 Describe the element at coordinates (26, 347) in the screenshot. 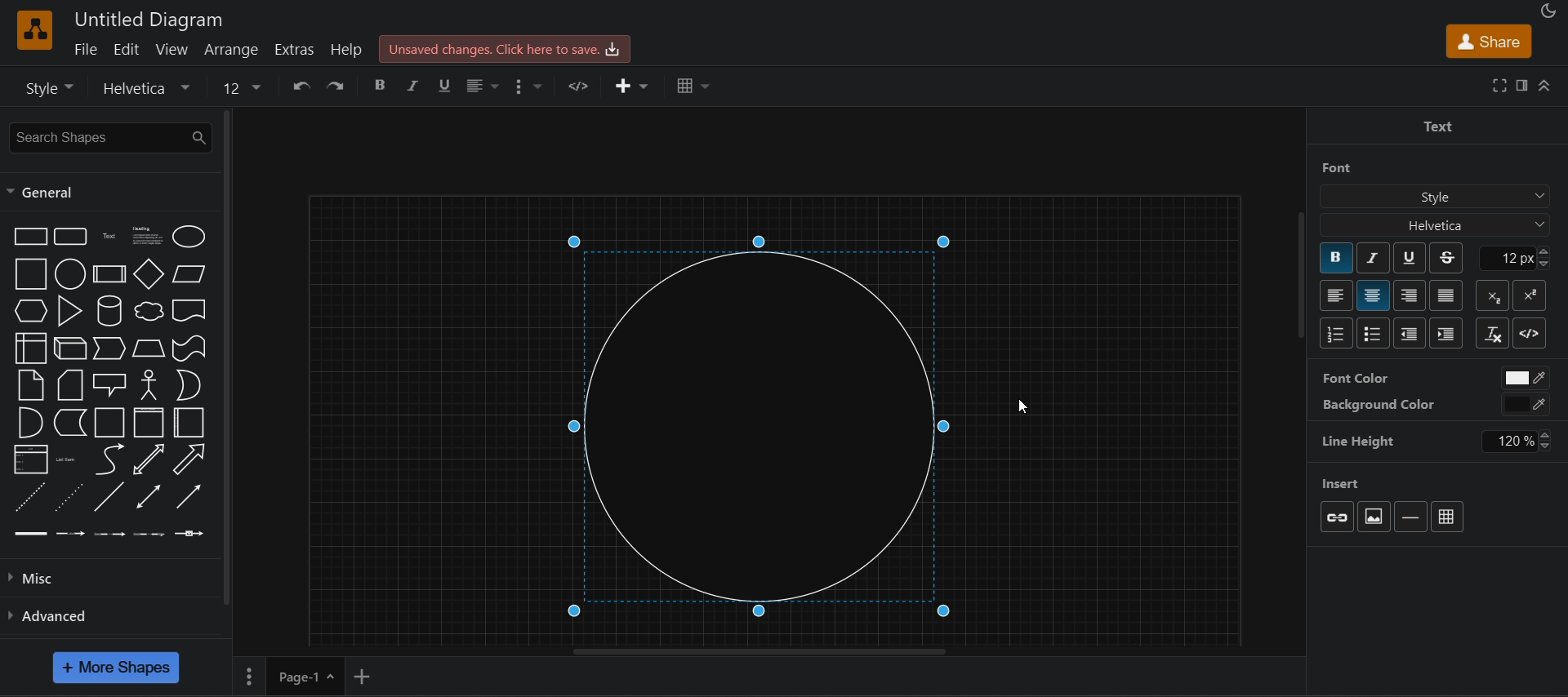

I see `internal storage` at that location.